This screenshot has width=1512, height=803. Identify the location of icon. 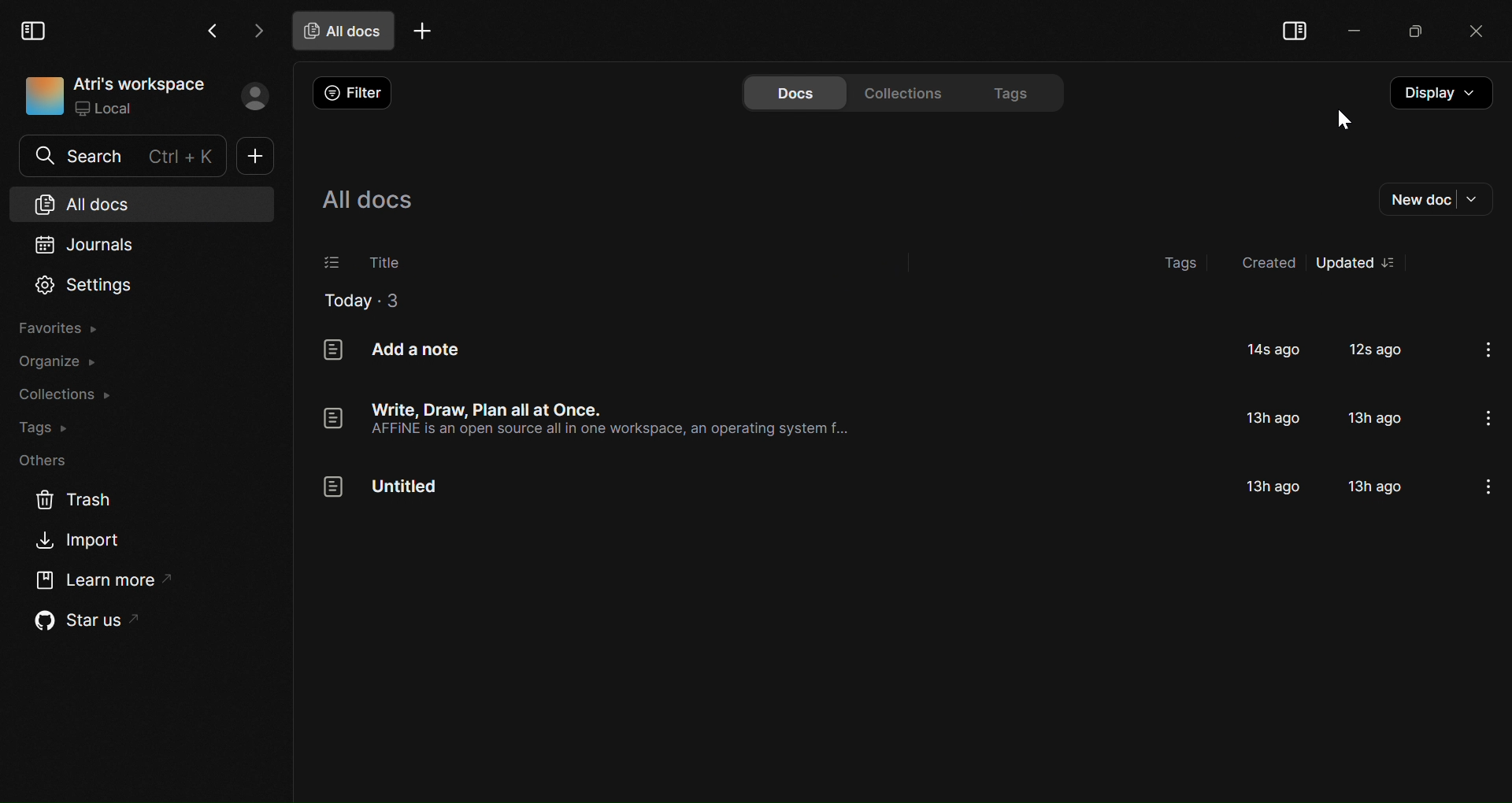
(41, 96).